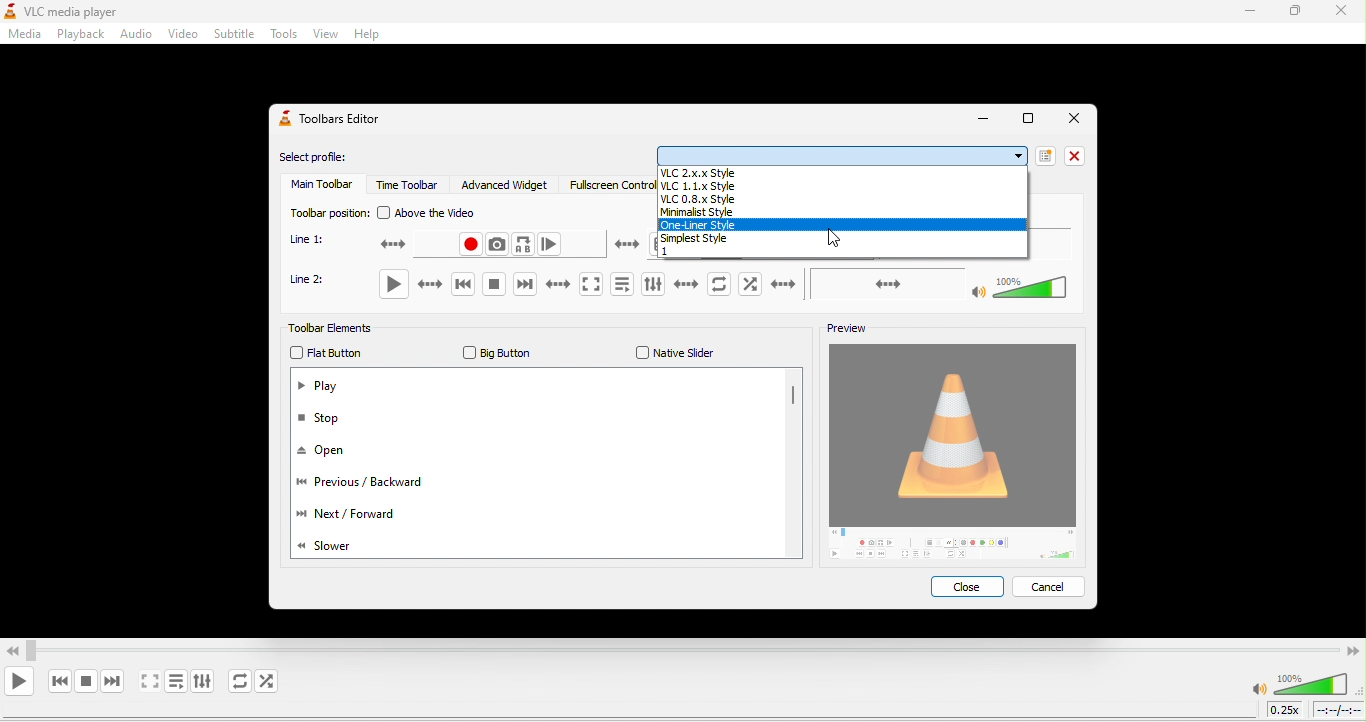 This screenshot has height=722, width=1366. I want to click on above the video, so click(437, 213).